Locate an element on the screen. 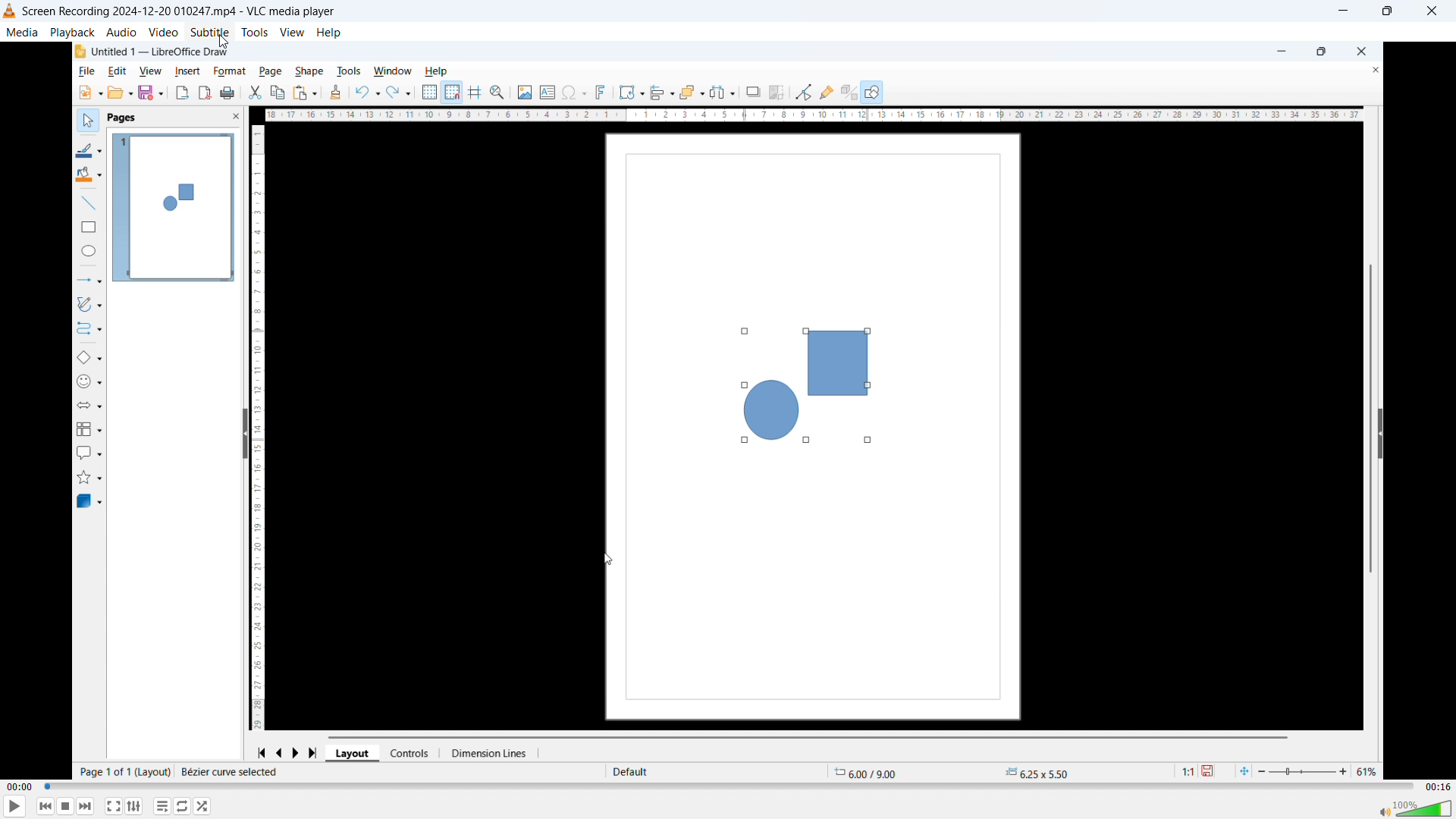 Image resolution: width=1456 pixels, height=819 pixels. block arrow is located at coordinates (94, 406).